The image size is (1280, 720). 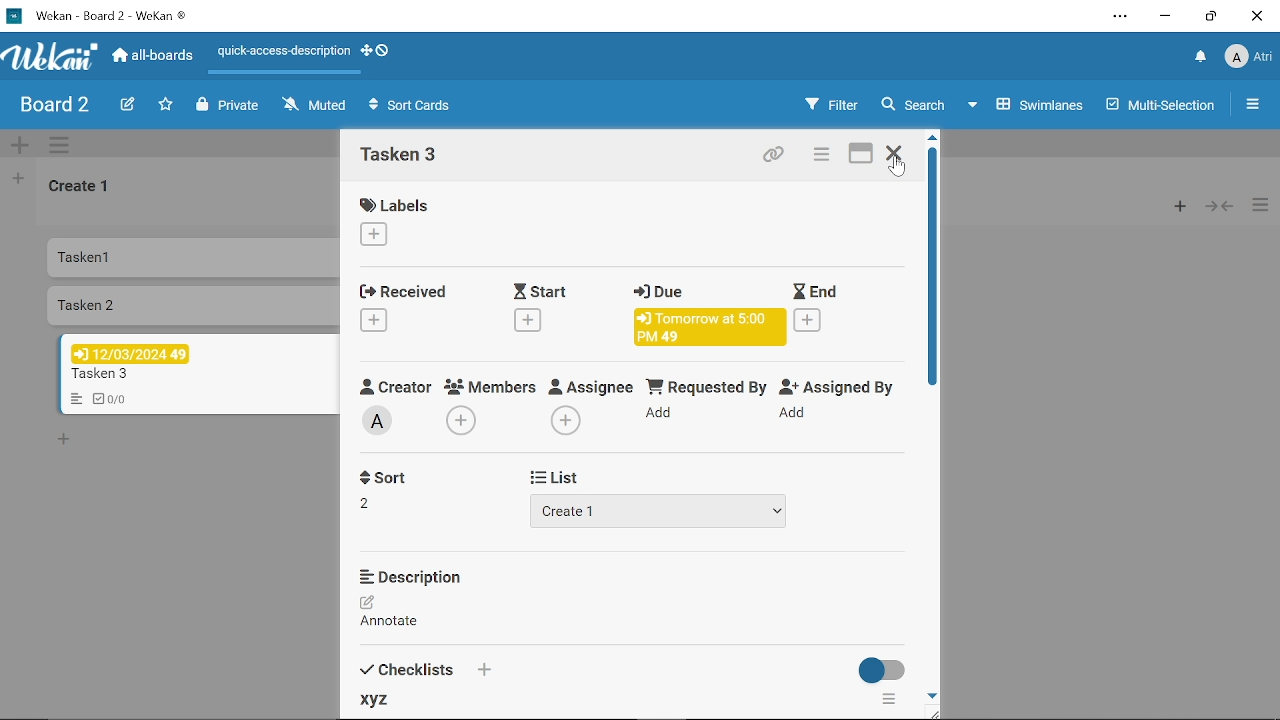 What do you see at coordinates (524, 319) in the screenshot?
I see `Add start date` at bounding box center [524, 319].